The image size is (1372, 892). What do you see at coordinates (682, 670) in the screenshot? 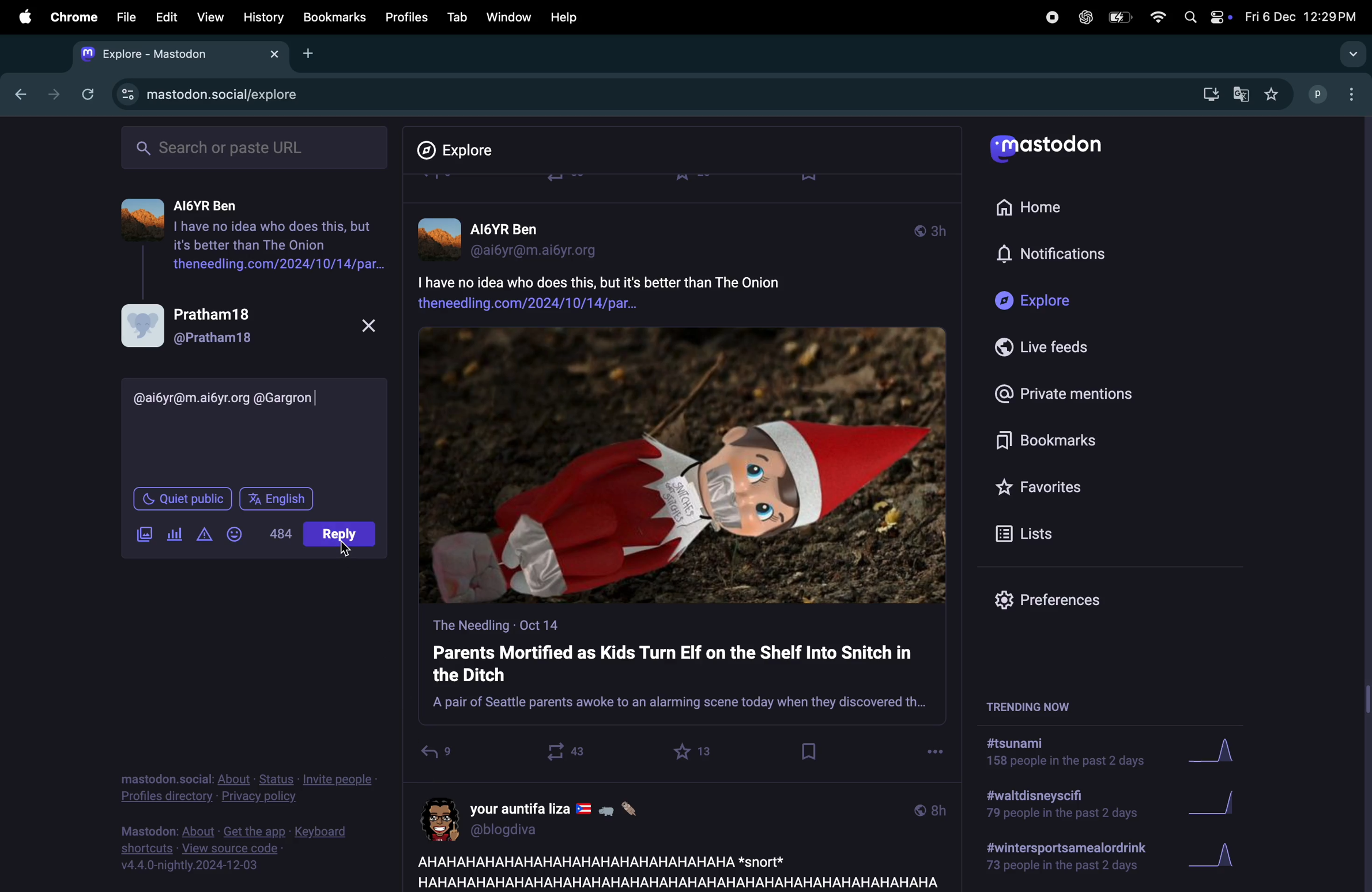
I see `post box` at bounding box center [682, 670].